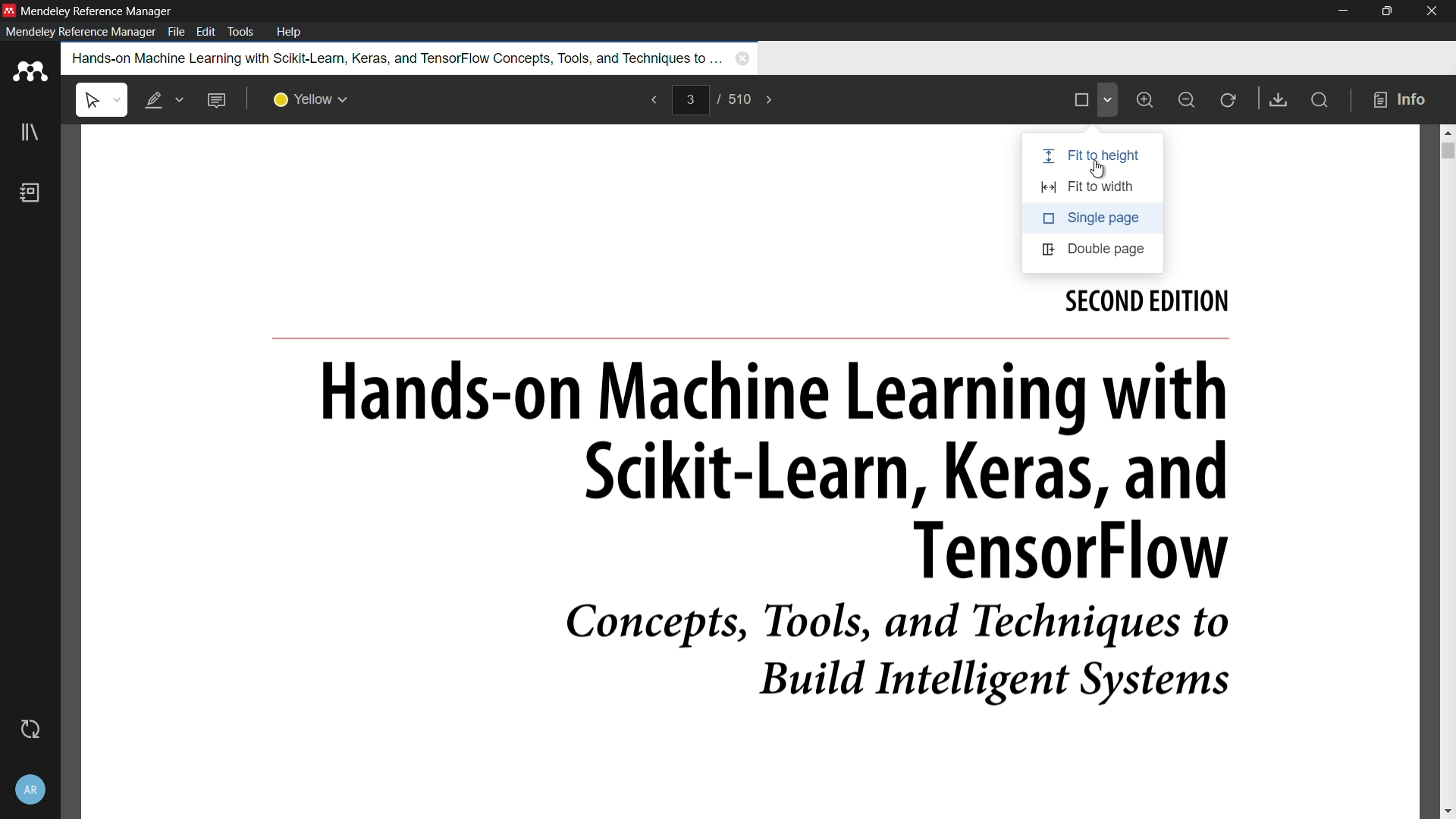 This screenshot has width=1456, height=819. I want to click on library, so click(29, 133).